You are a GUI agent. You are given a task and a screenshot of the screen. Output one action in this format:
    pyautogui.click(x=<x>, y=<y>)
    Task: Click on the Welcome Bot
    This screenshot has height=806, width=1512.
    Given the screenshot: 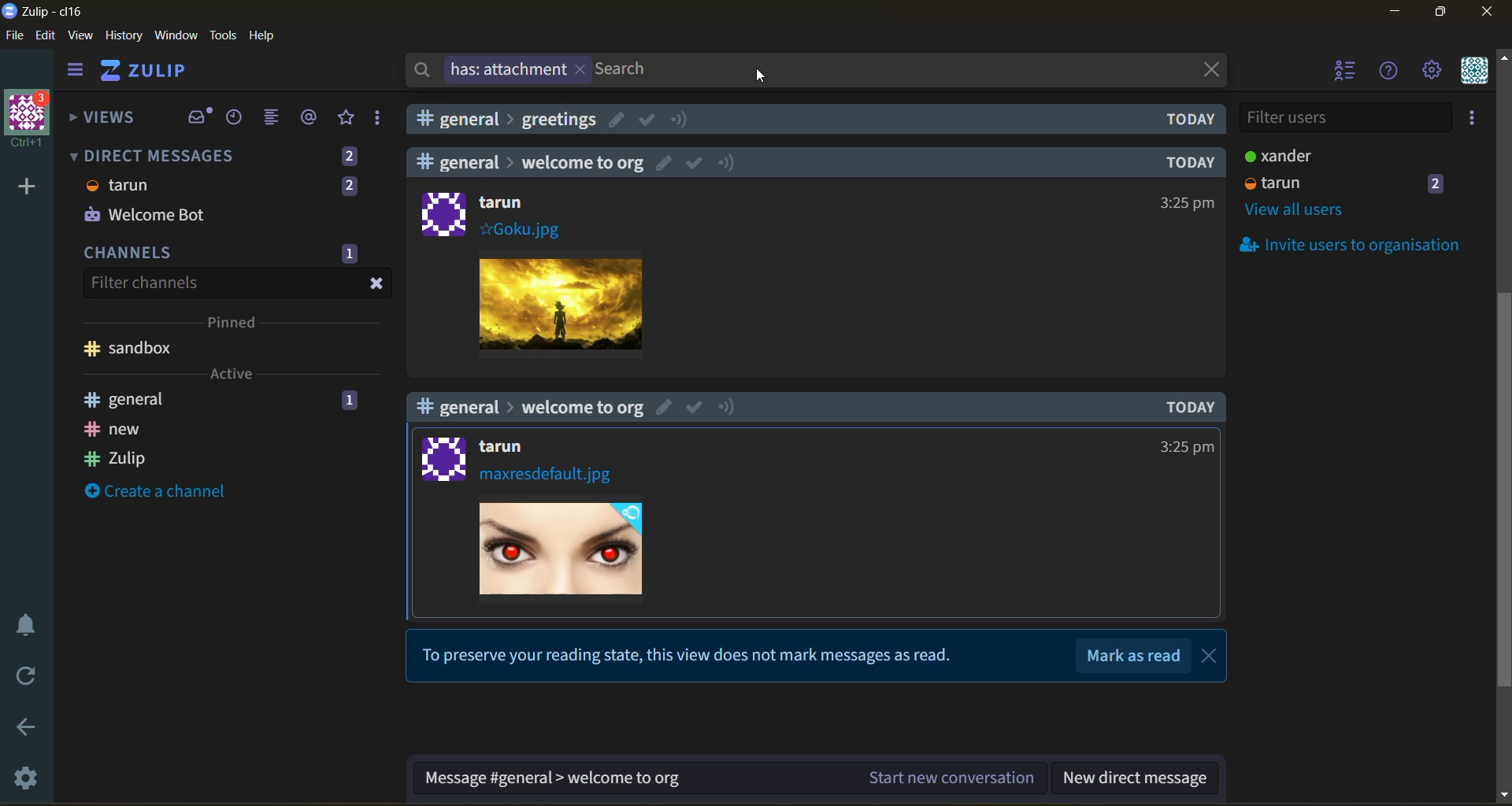 What is the action you would take?
    pyautogui.click(x=144, y=215)
    